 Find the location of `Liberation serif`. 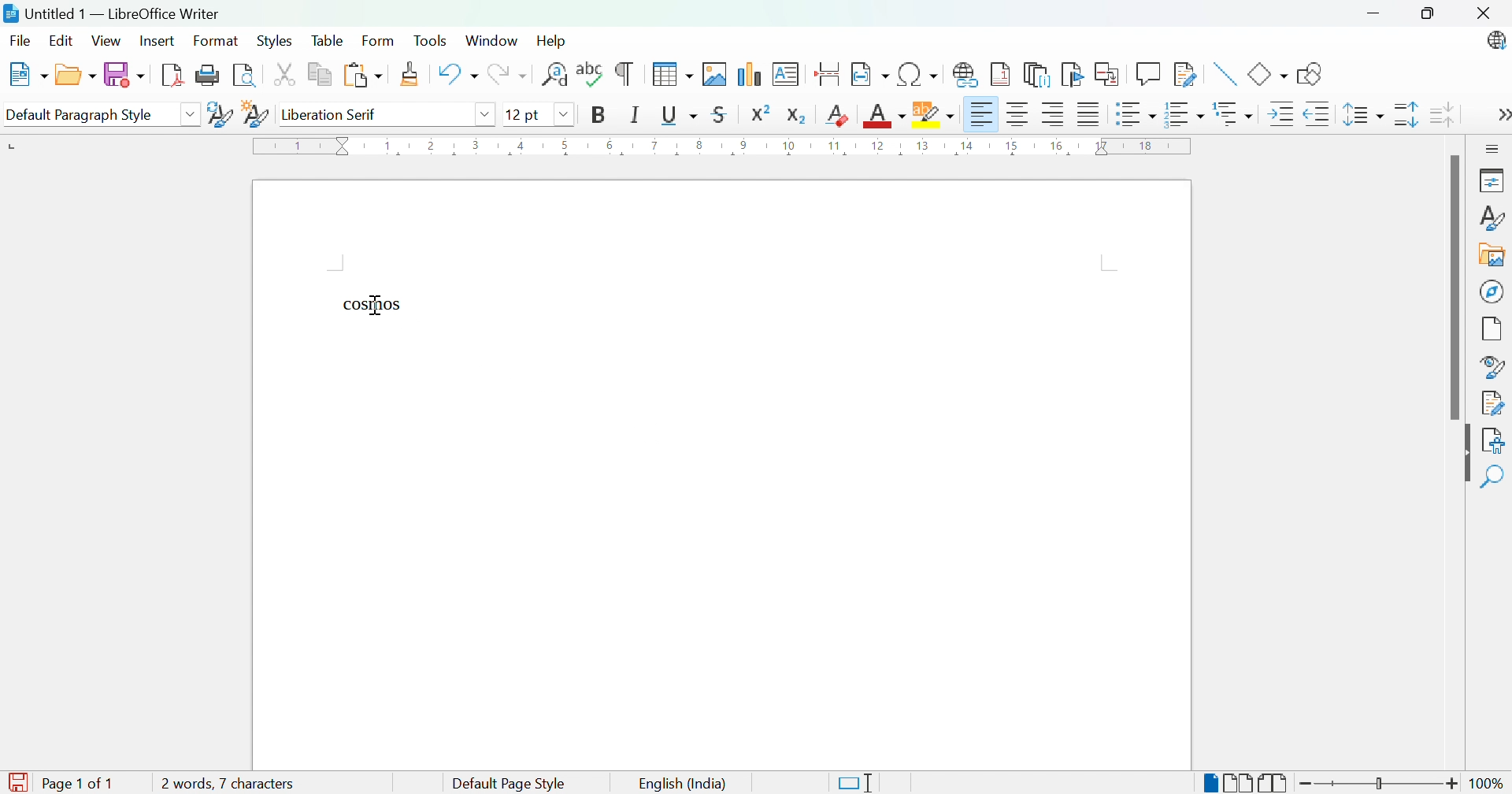

Liberation serif is located at coordinates (331, 115).